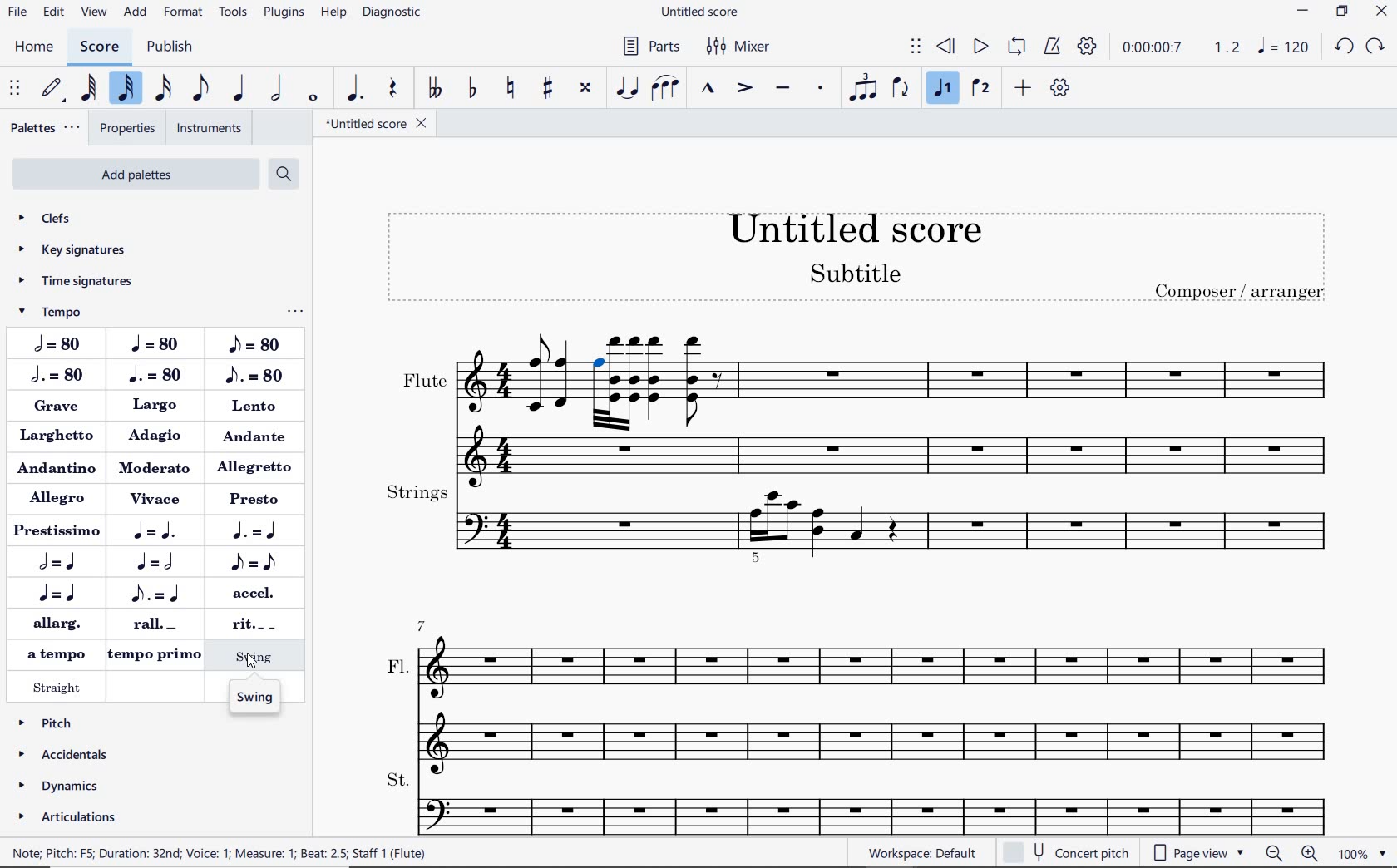 The image size is (1397, 868). Describe the element at coordinates (158, 343) in the screenshot. I see `QUARTER NOTE` at that location.